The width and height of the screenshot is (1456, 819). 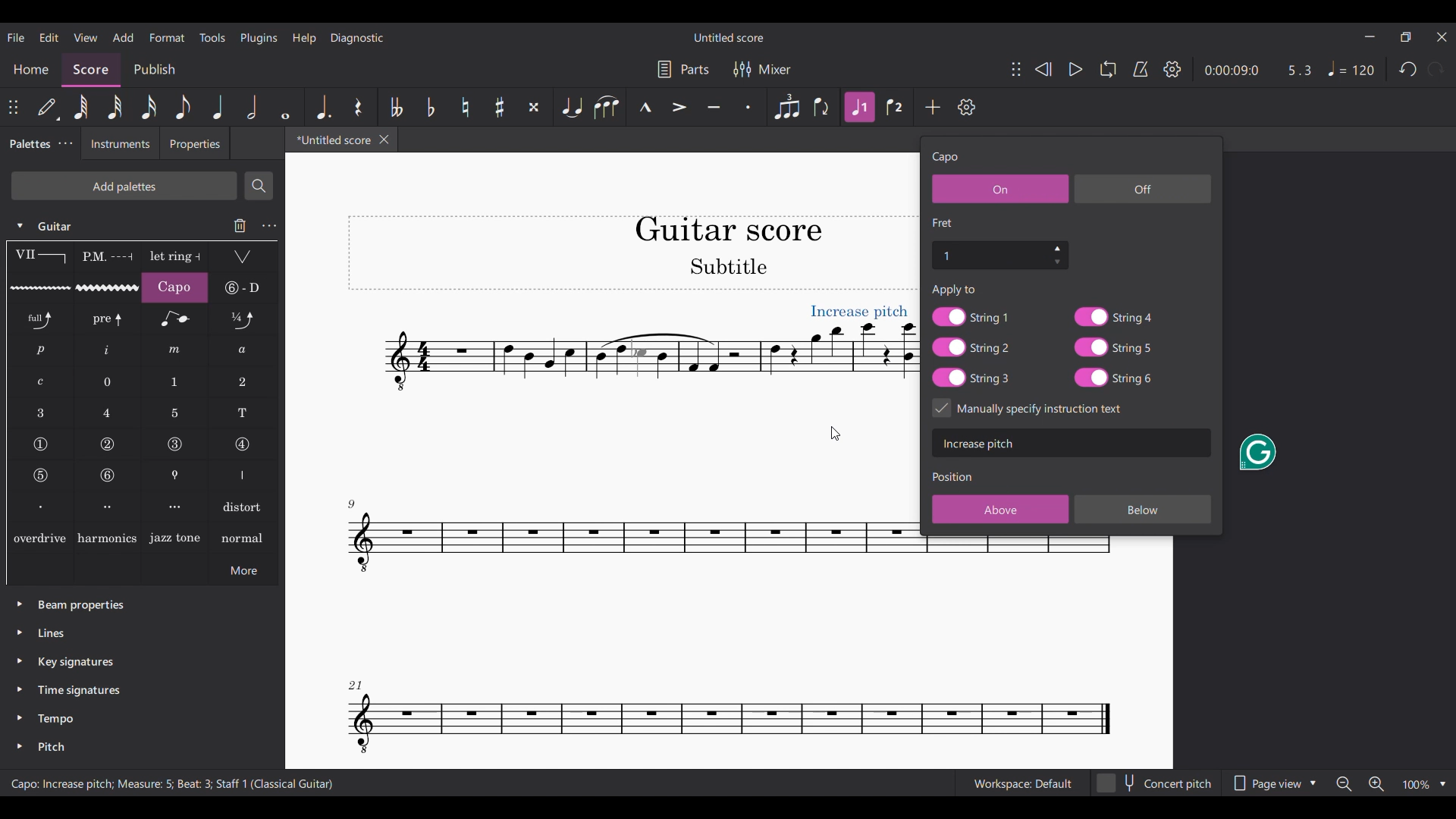 What do you see at coordinates (357, 39) in the screenshot?
I see `Diagnostic menu` at bounding box center [357, 39].